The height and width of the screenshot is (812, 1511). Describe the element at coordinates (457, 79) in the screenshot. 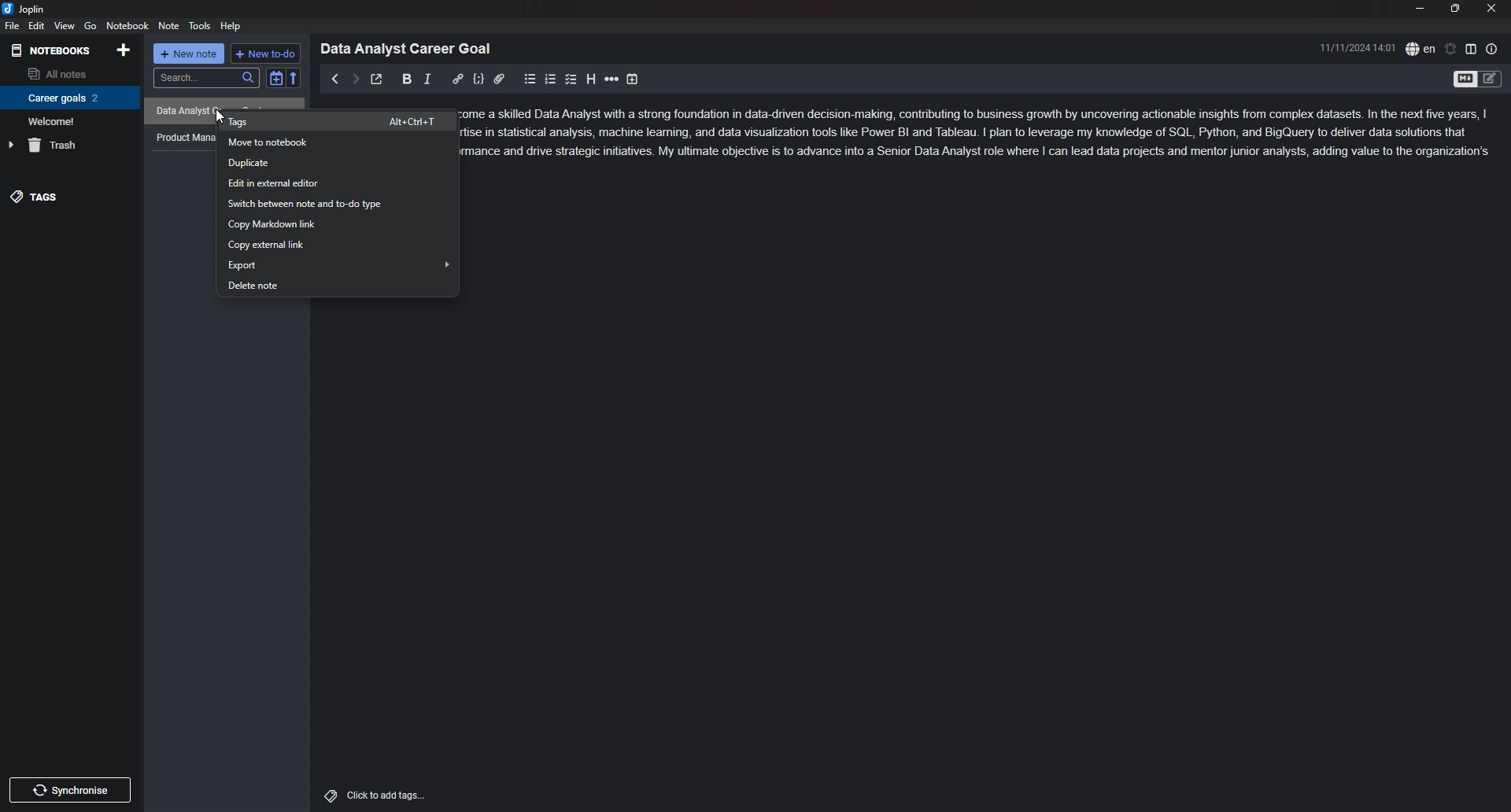

I see `hyperlink` at that location.